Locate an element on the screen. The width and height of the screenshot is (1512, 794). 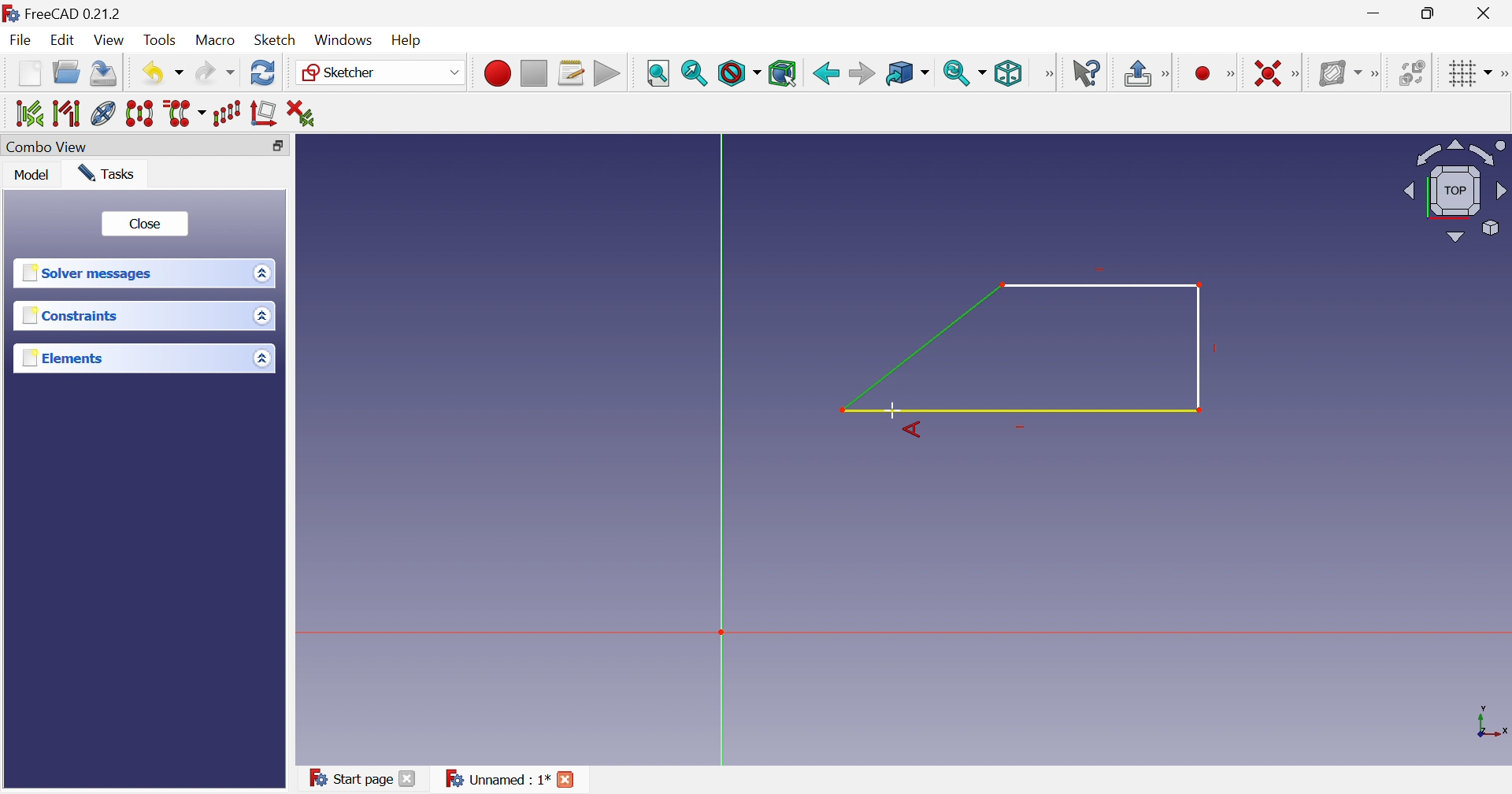
What's this? is located at coordinates (1086, 72).